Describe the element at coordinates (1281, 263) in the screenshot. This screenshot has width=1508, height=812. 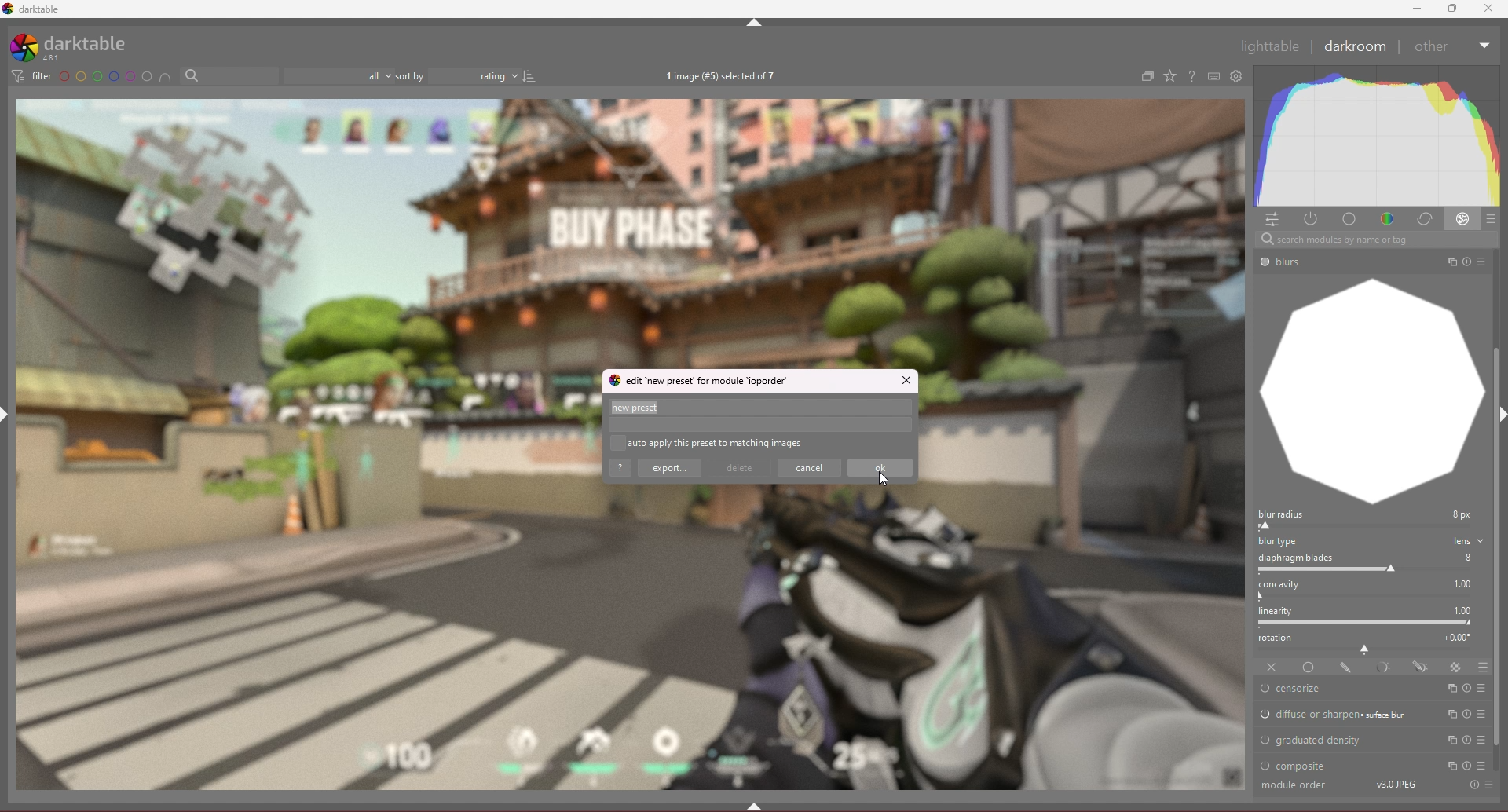
I see `` at that location.